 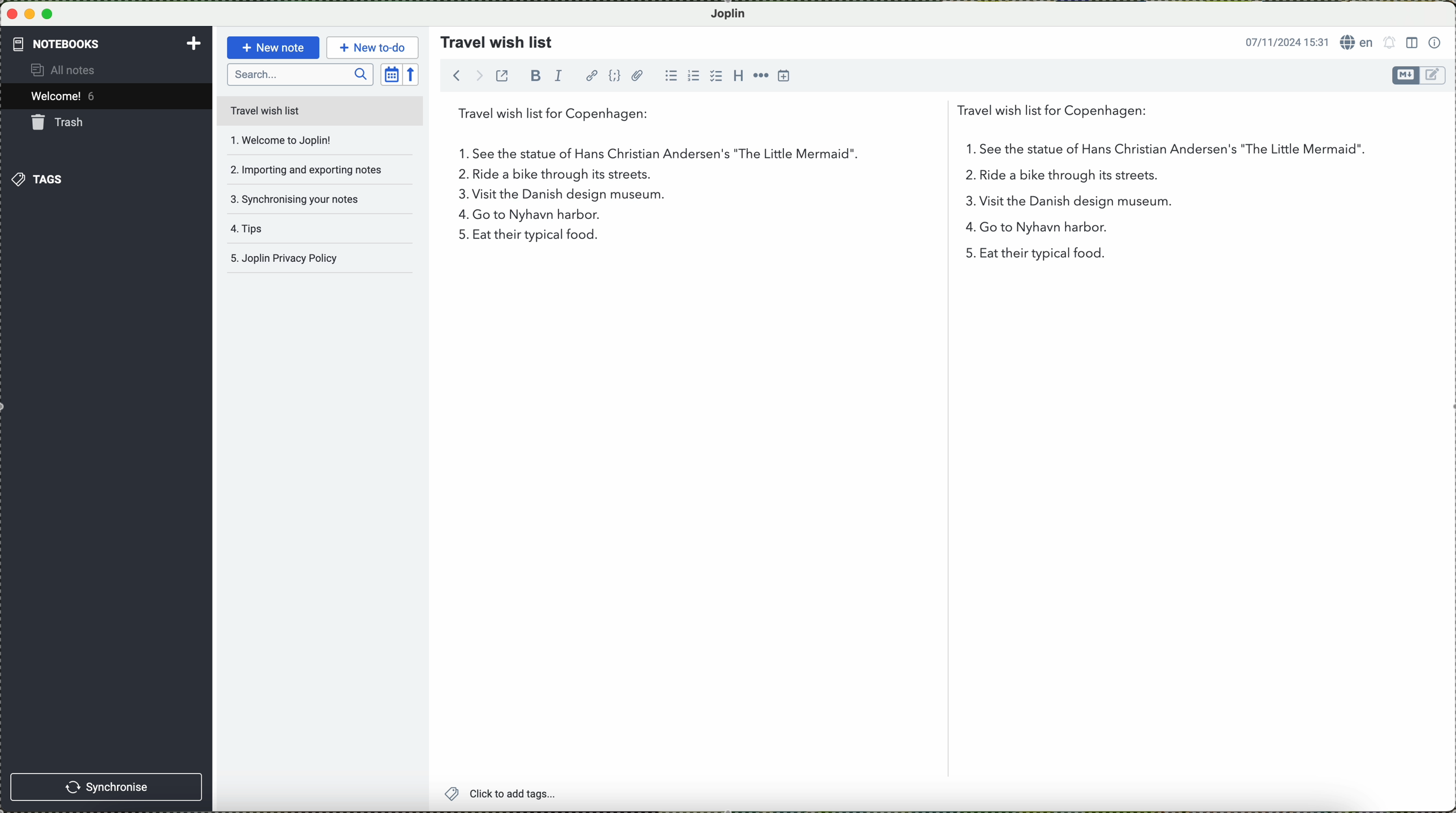 What do you see at coordinates (73, 71) in the screenshot?
I see `all notes` at bounding box center [73, 71].